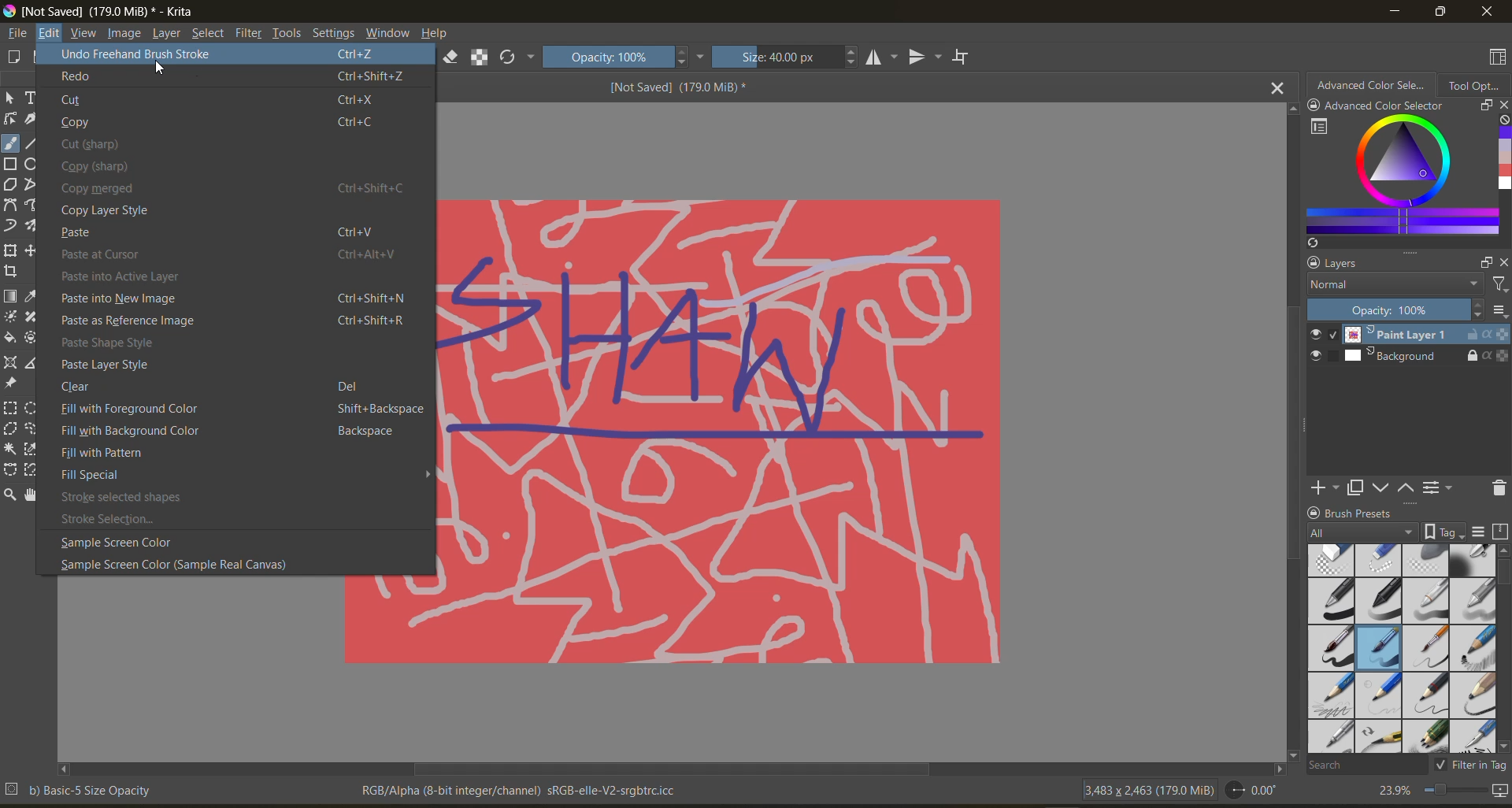 The image size is (1512, 808). I want to click on Advanced color selector, so click(1372, 84).